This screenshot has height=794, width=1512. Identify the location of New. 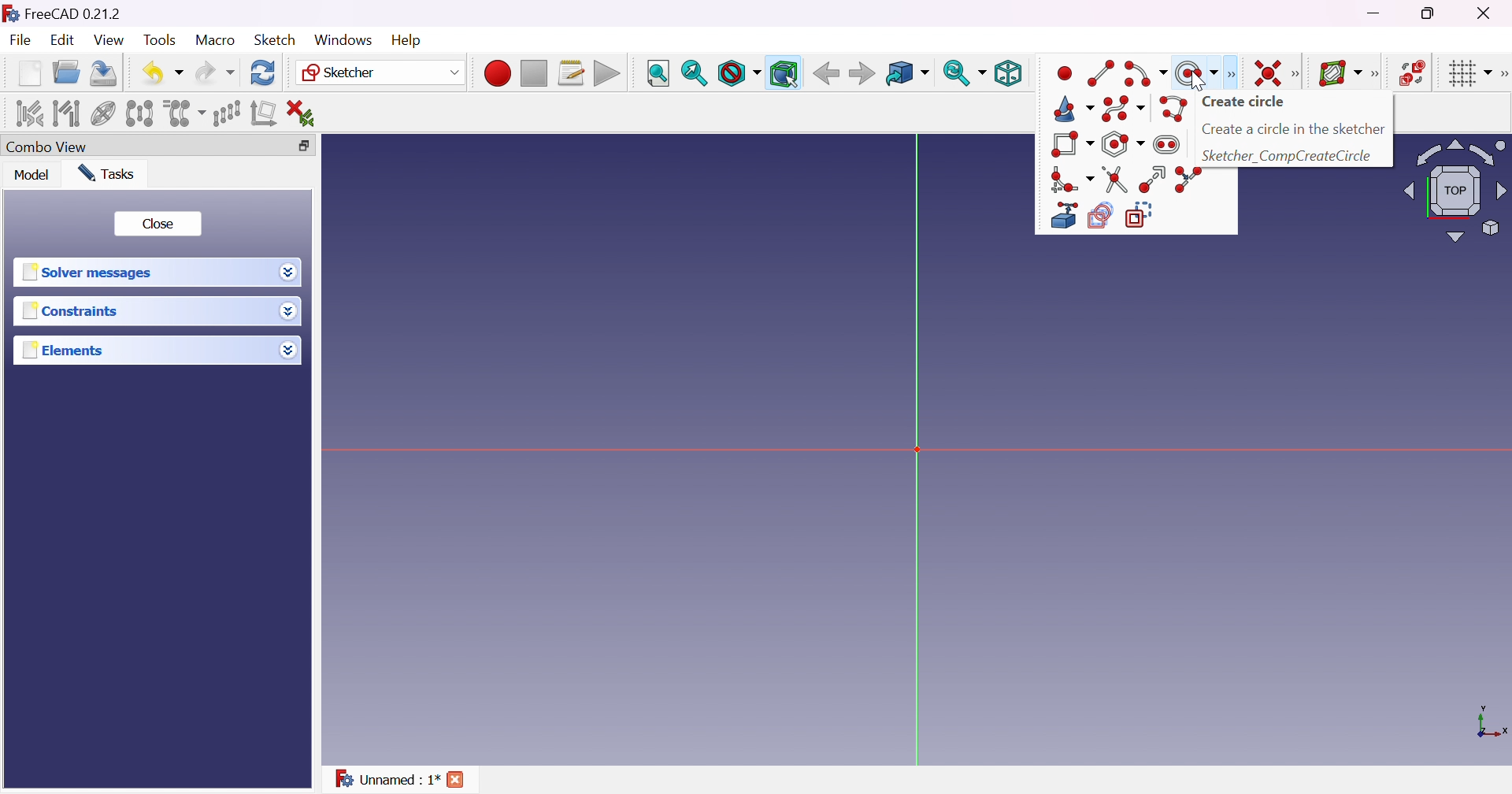
(28, 73).